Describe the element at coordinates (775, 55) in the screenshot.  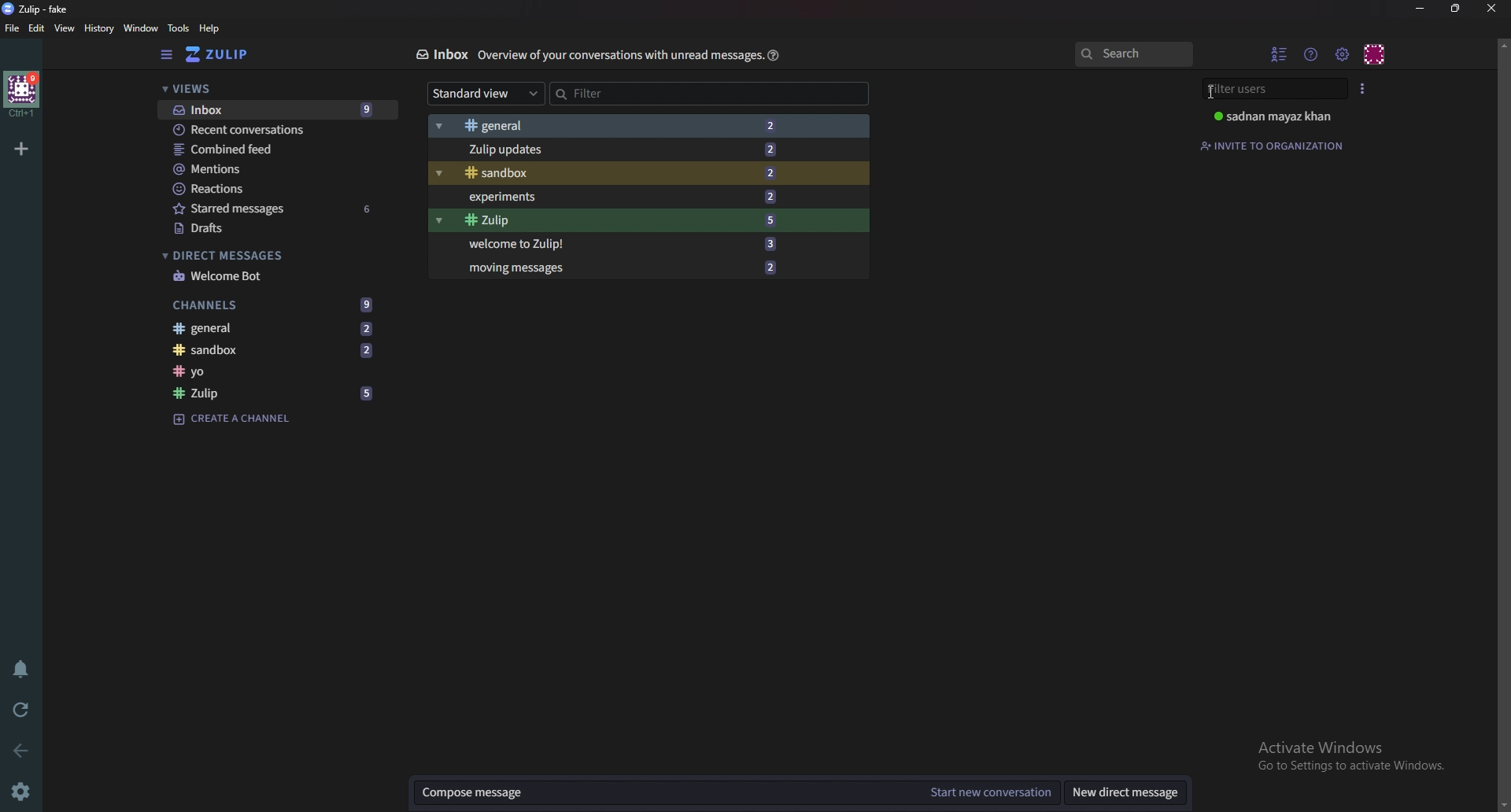
I see `help` at that location.